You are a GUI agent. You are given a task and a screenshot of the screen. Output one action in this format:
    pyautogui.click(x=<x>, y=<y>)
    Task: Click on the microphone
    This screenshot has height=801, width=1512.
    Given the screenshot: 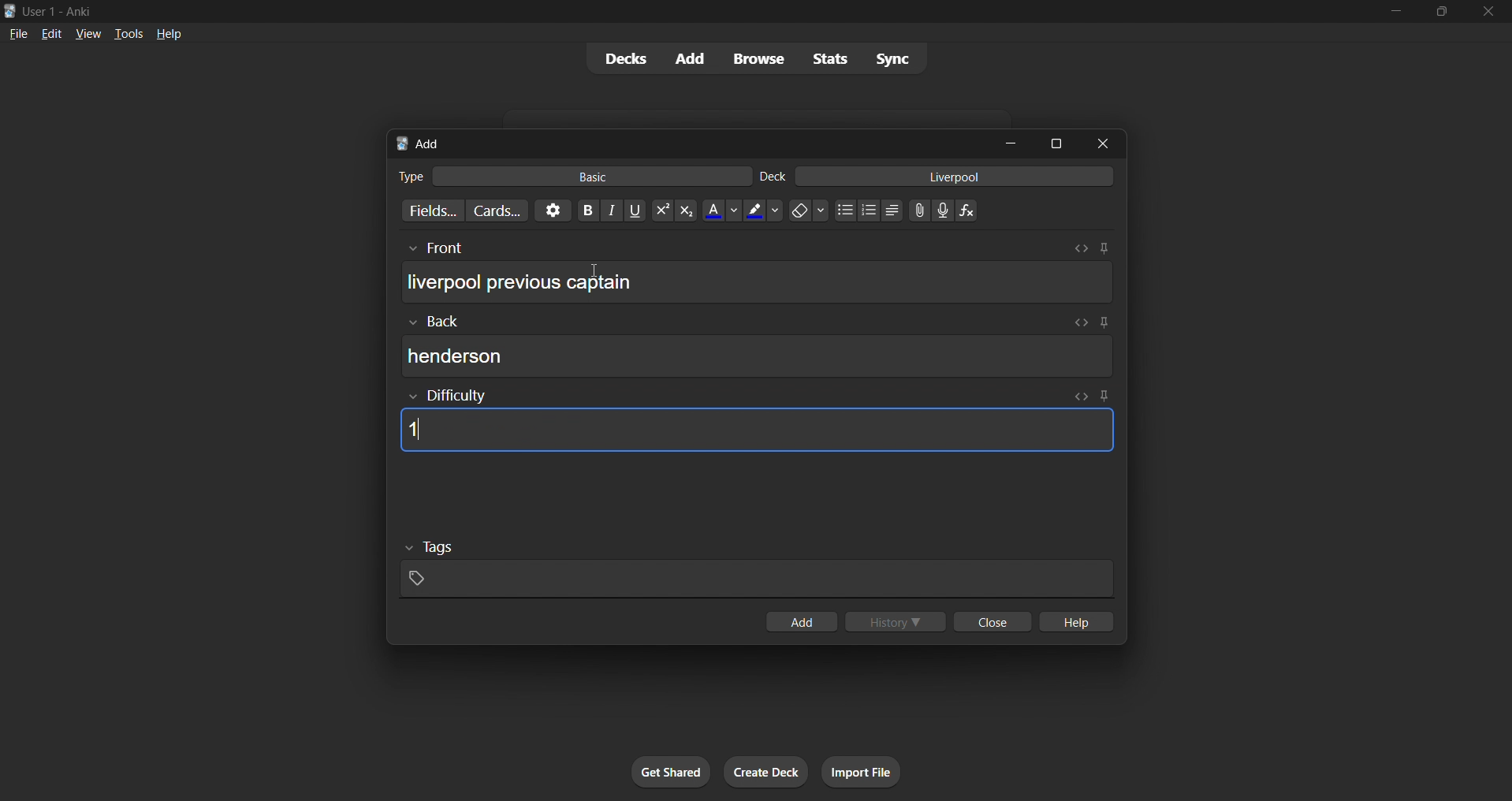 What is the action you would take?
    pyautogui.click(x=944, y=211)
    